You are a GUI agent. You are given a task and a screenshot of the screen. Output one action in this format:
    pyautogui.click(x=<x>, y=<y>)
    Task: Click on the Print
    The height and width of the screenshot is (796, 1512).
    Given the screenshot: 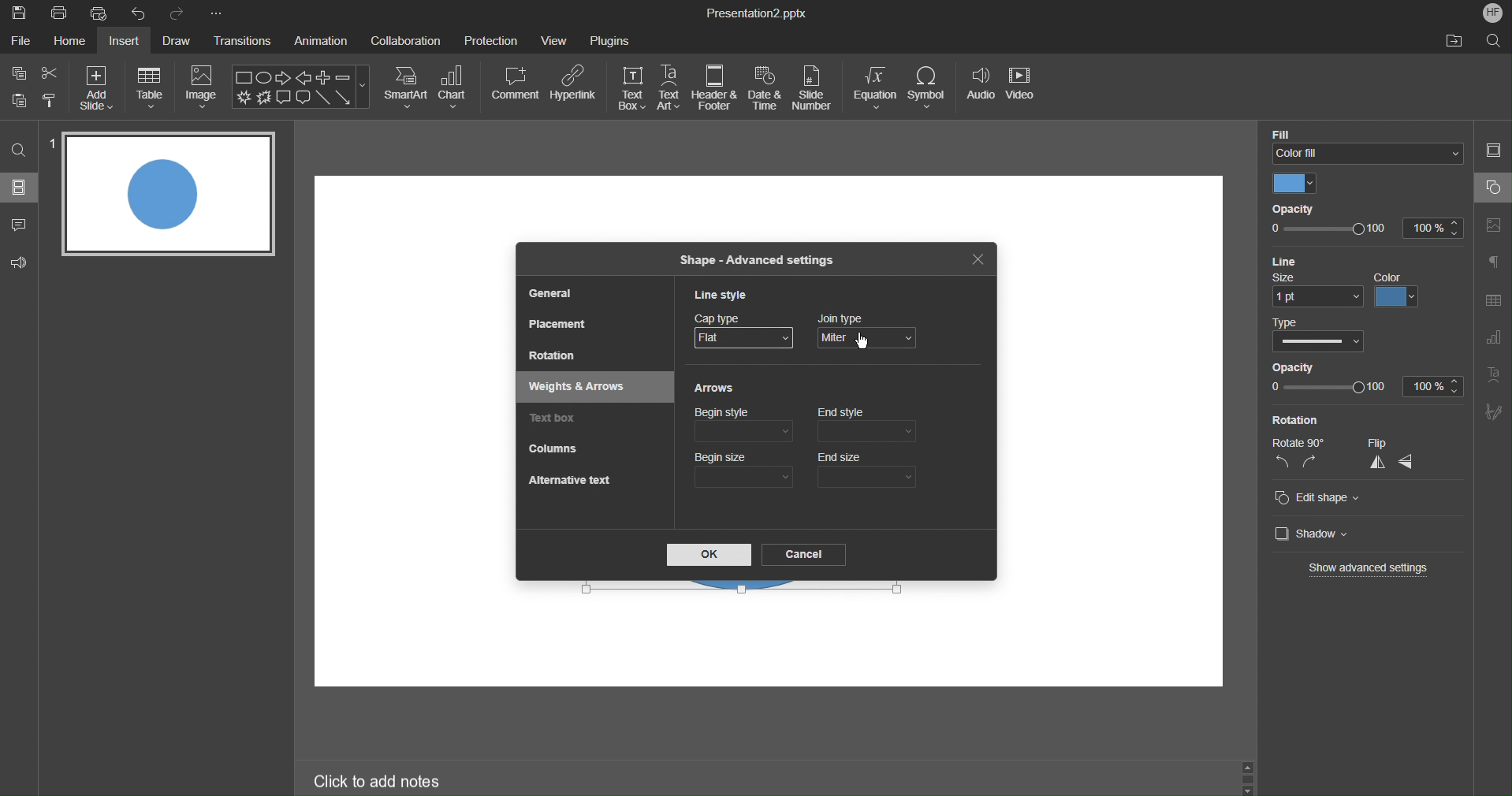 What is the action you would take?
    pyautogui.click(x=59, y=14)
    